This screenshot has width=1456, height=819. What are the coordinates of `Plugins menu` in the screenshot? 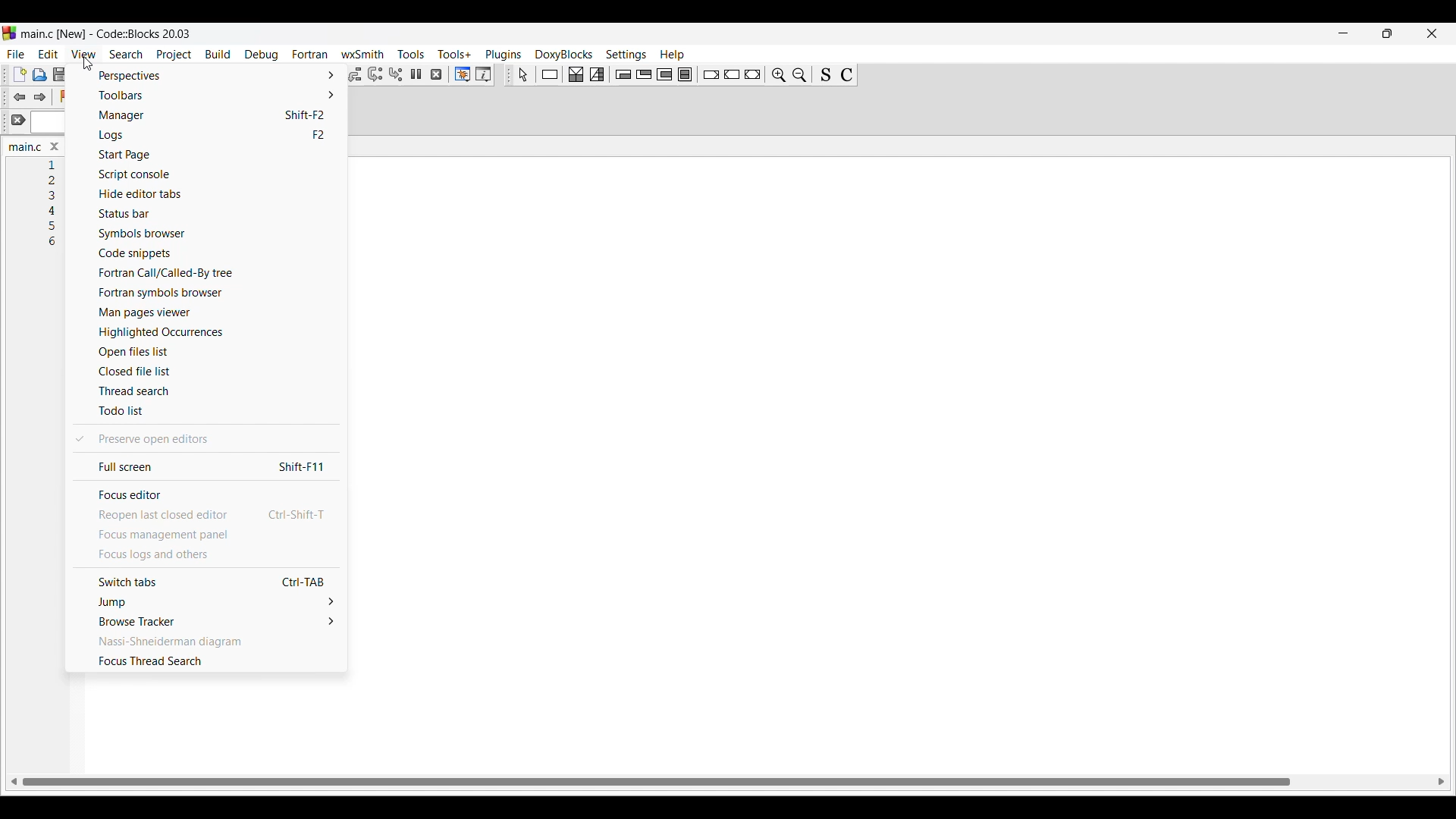 It's located at (504, 55).